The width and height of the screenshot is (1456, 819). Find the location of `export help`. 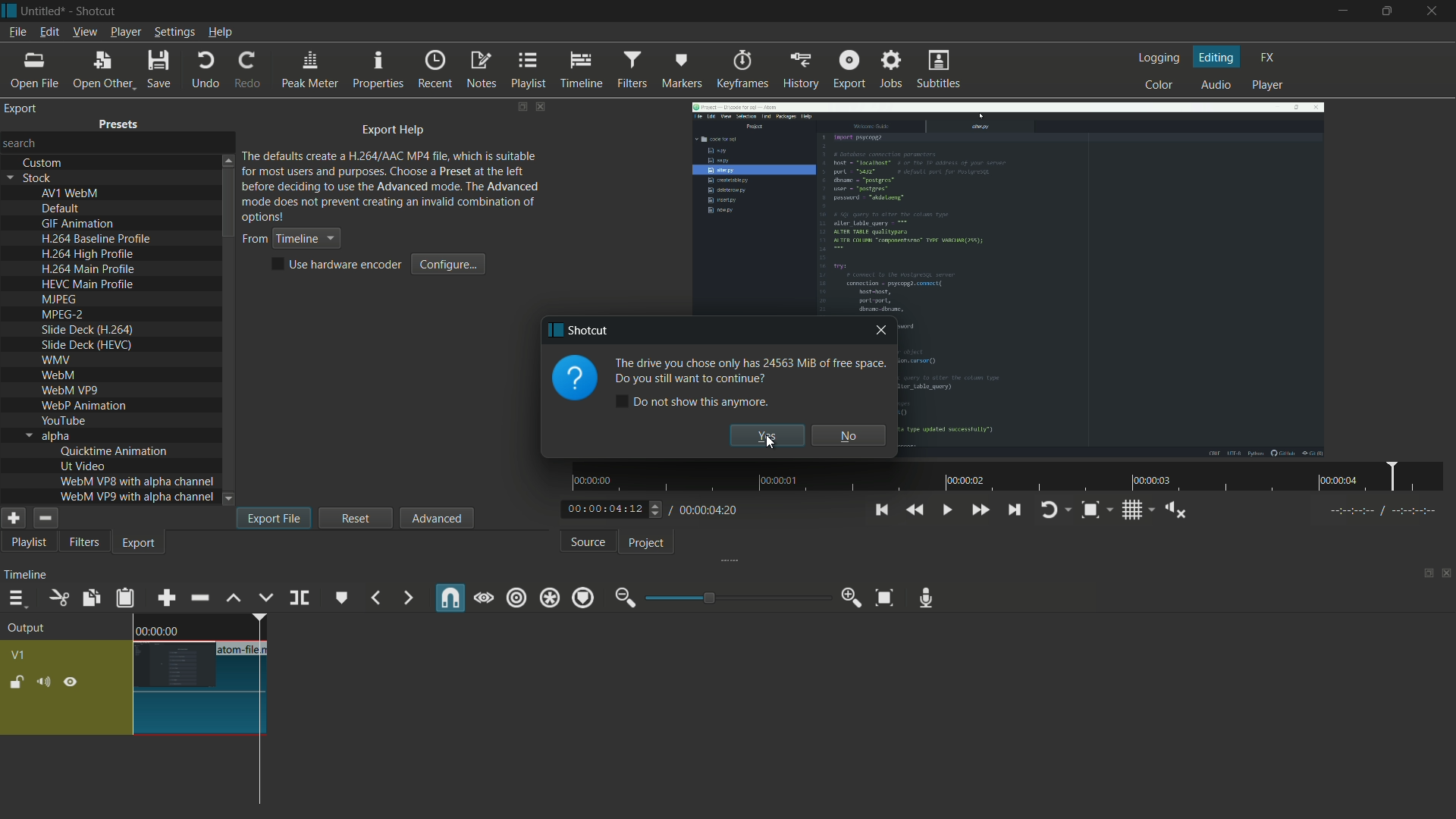

export help is located at coordinates (394, 131).